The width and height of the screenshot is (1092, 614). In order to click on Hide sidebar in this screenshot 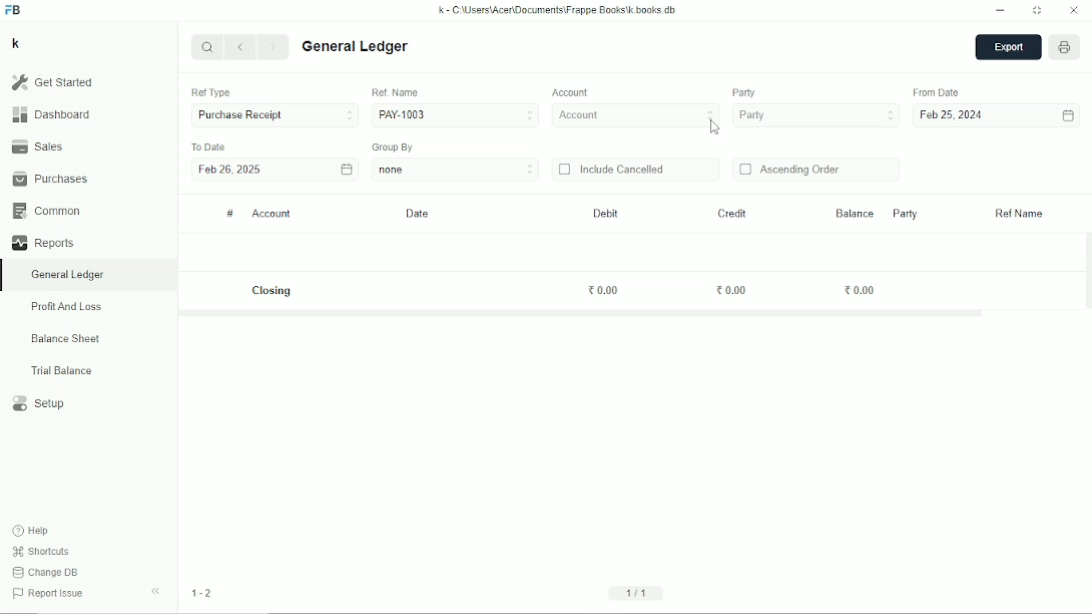, I will do `click(156, 592)`.